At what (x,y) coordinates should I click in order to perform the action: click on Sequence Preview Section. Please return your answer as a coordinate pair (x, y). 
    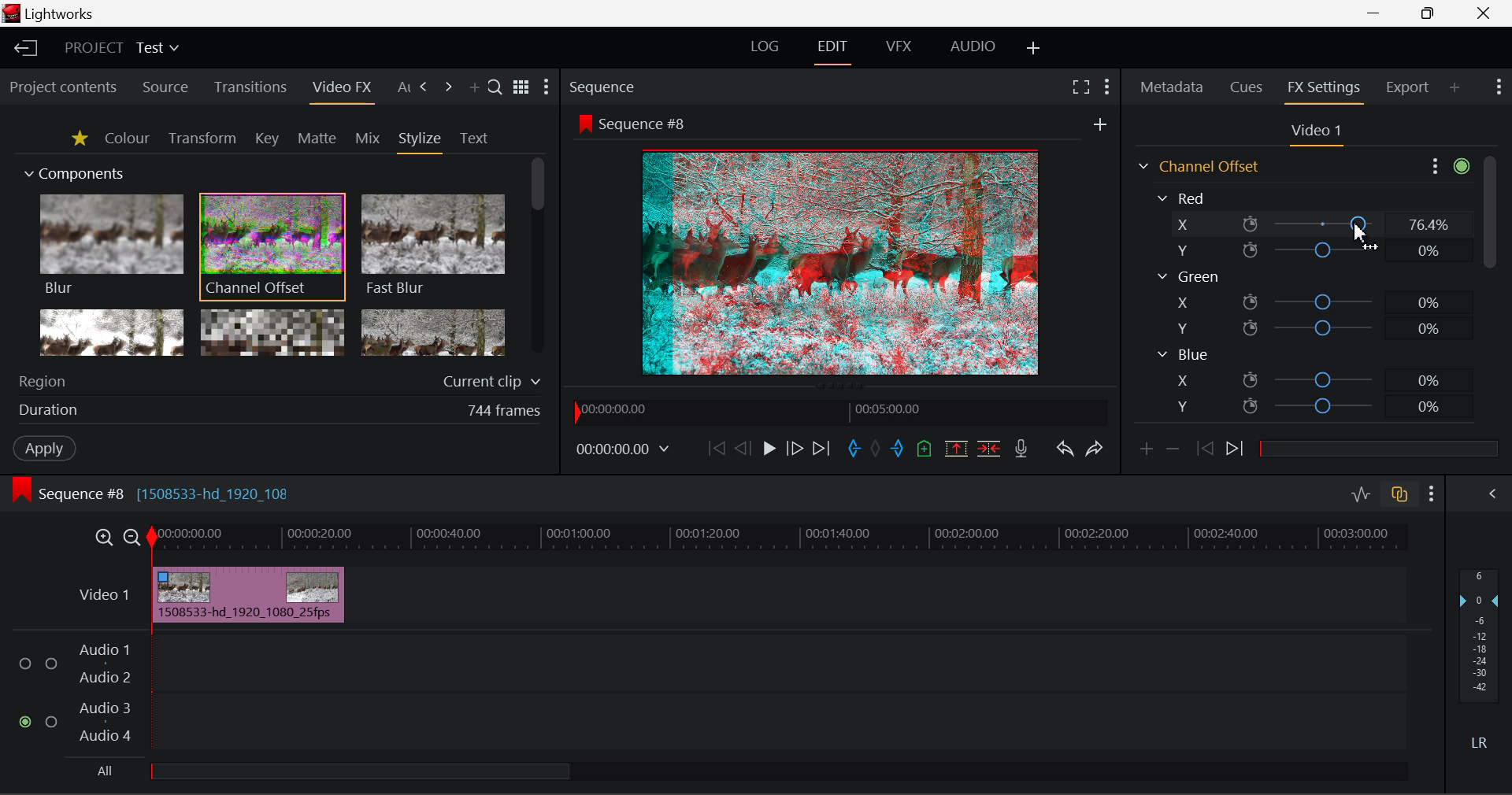
    Looking at the image, I should click on (604, 86).